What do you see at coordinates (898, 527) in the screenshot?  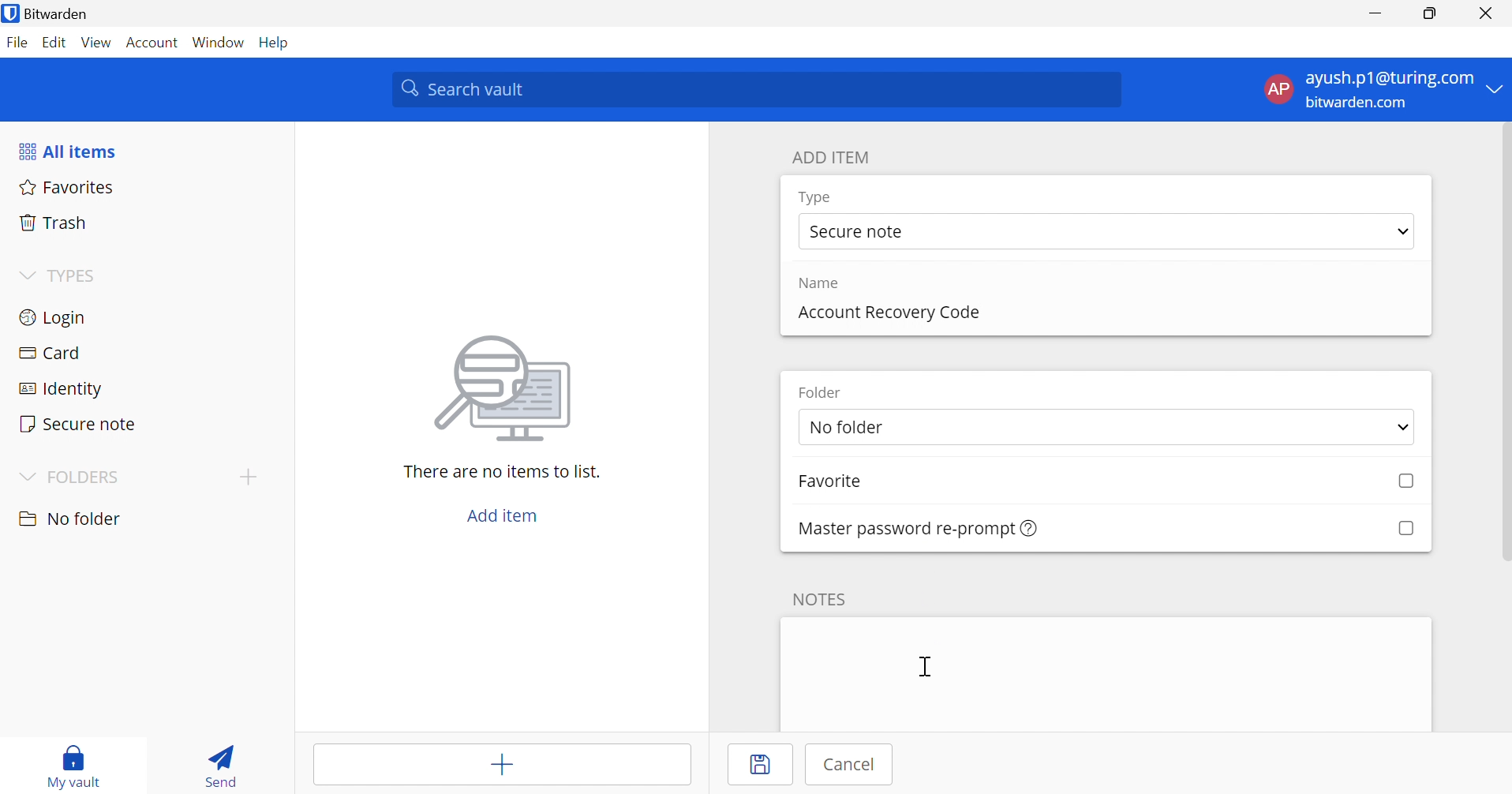 I see `Master password re-prompt @` at bounding box center [898, 527].